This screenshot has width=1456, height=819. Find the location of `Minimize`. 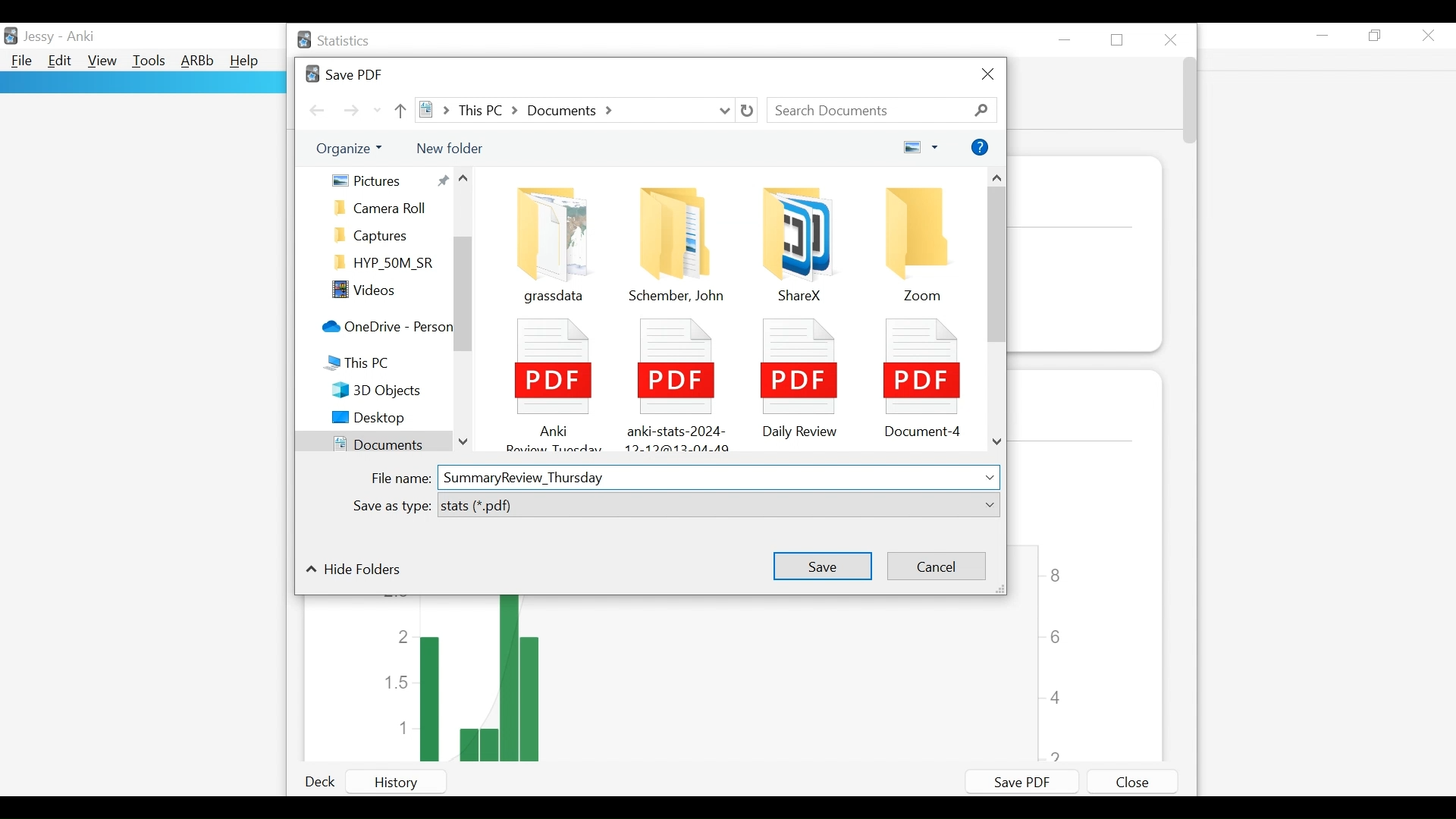

Minimize is located at coordinates (1068, 39).